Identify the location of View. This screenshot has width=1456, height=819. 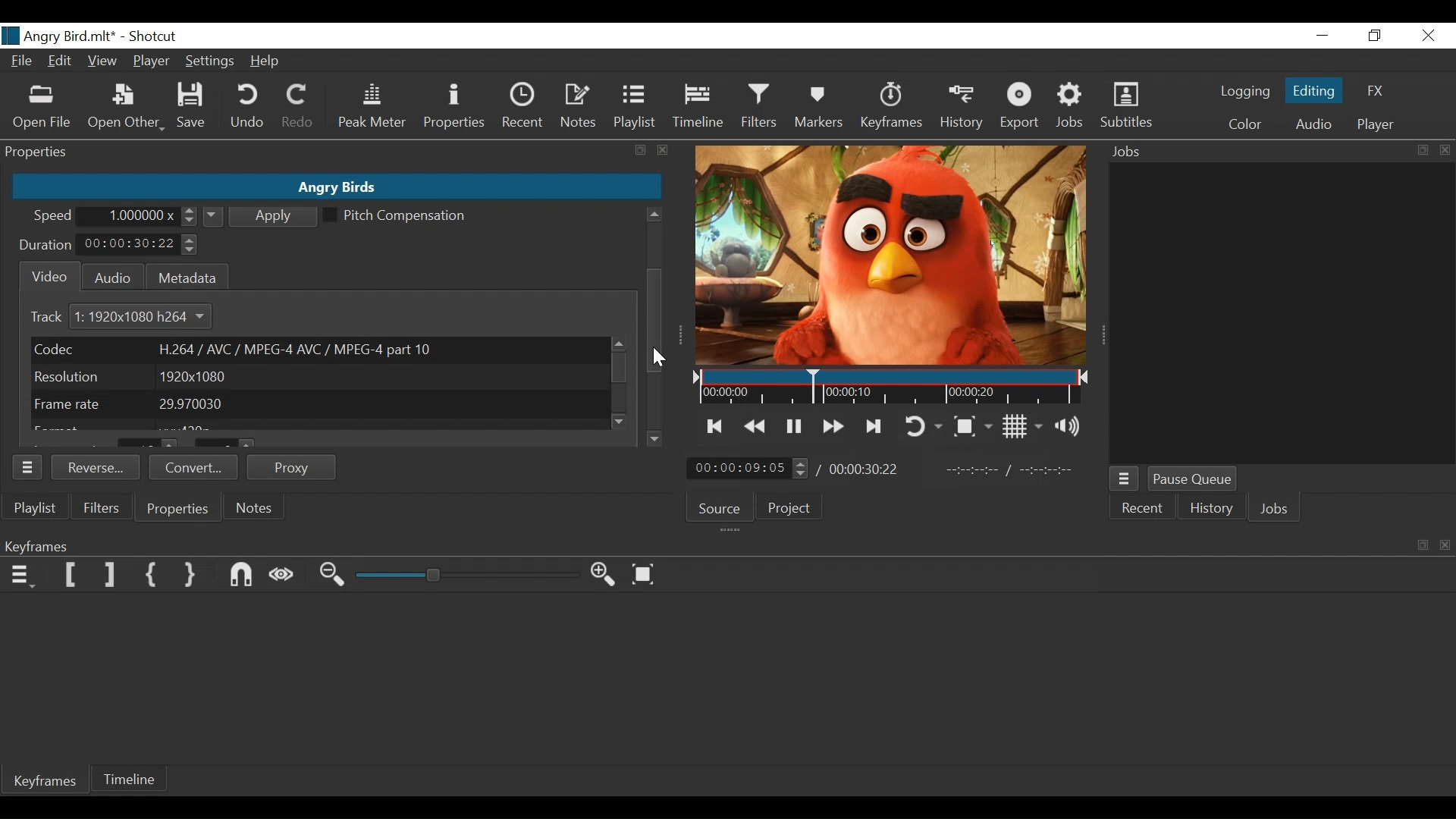
(101, 60).